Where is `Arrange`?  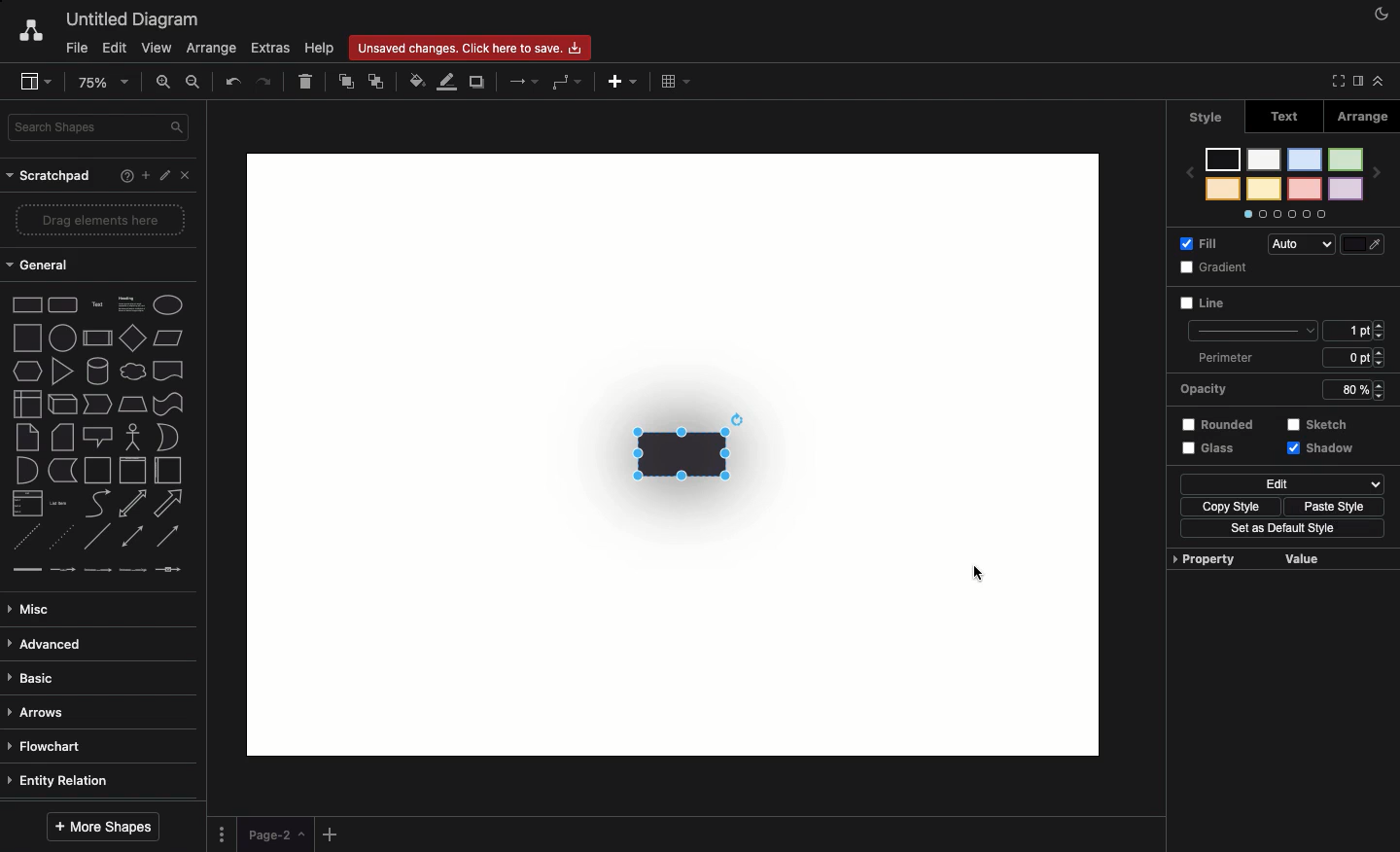 Arrange is located at coordinates (212, 49).